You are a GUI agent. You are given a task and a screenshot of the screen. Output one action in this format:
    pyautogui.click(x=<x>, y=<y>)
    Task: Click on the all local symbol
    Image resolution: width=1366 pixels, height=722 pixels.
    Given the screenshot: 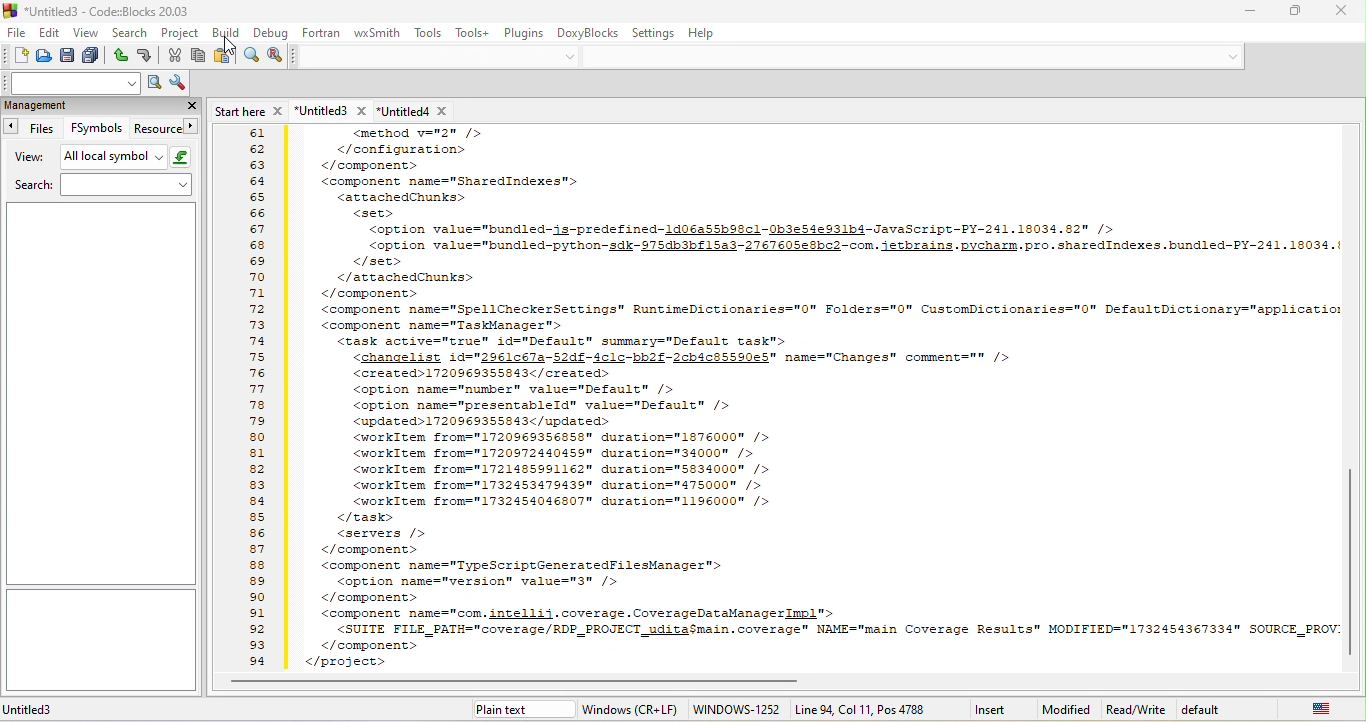 What is the action you would take?
    pyautogui.click(x=129, y=157)
    